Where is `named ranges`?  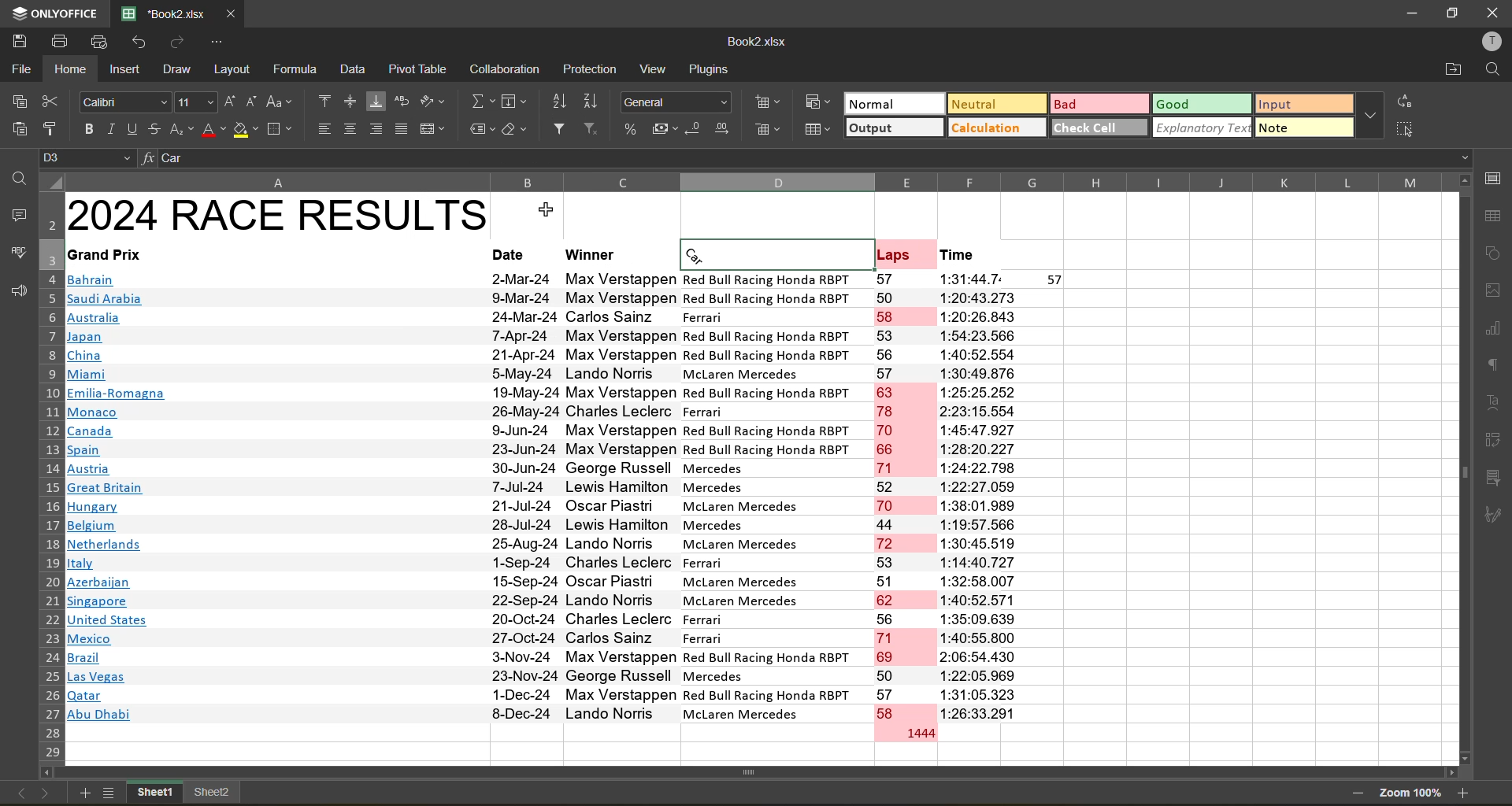 named ranges is located at coordinates (479, 130).